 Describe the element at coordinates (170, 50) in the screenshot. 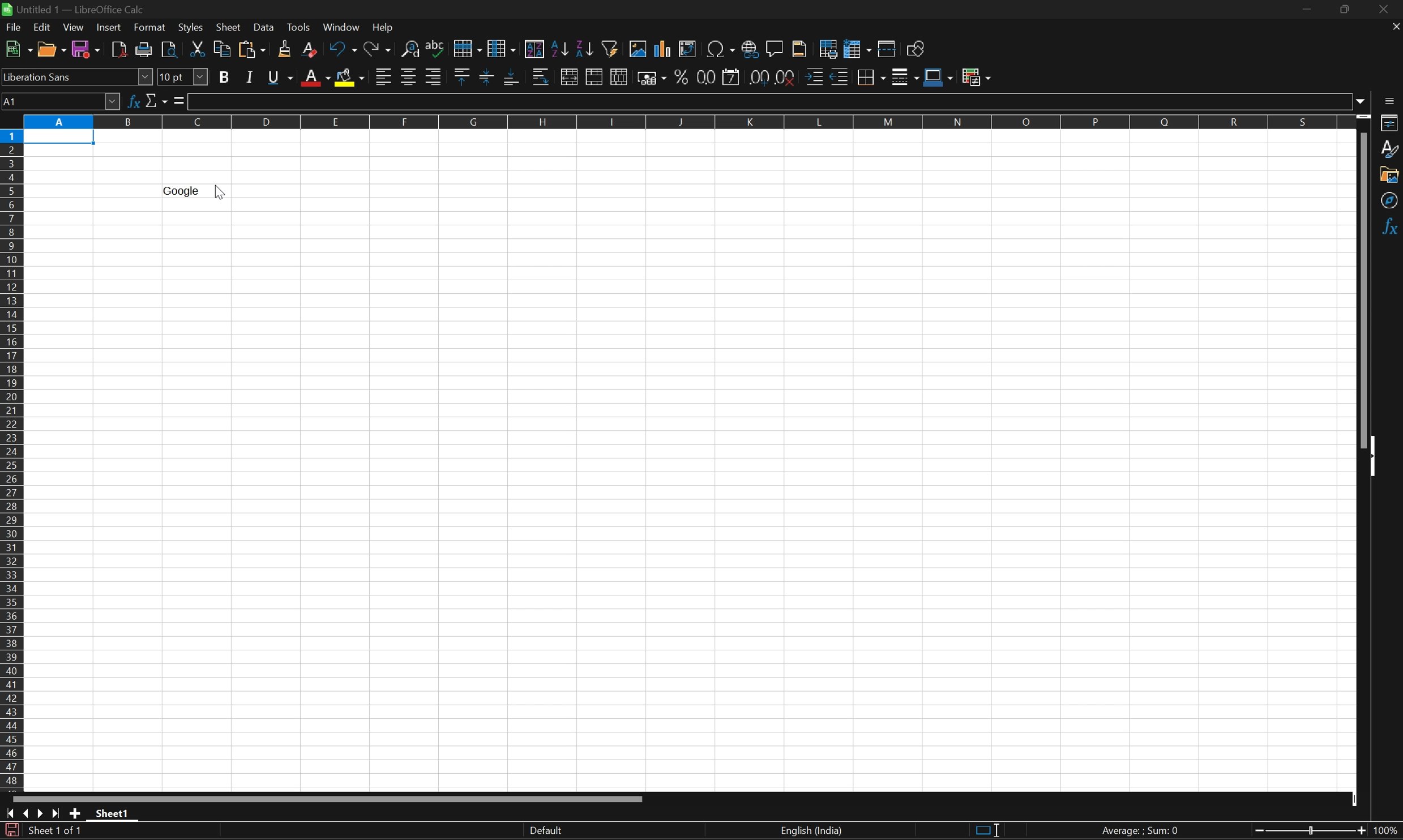

I see `Toggle print preview` at that location.